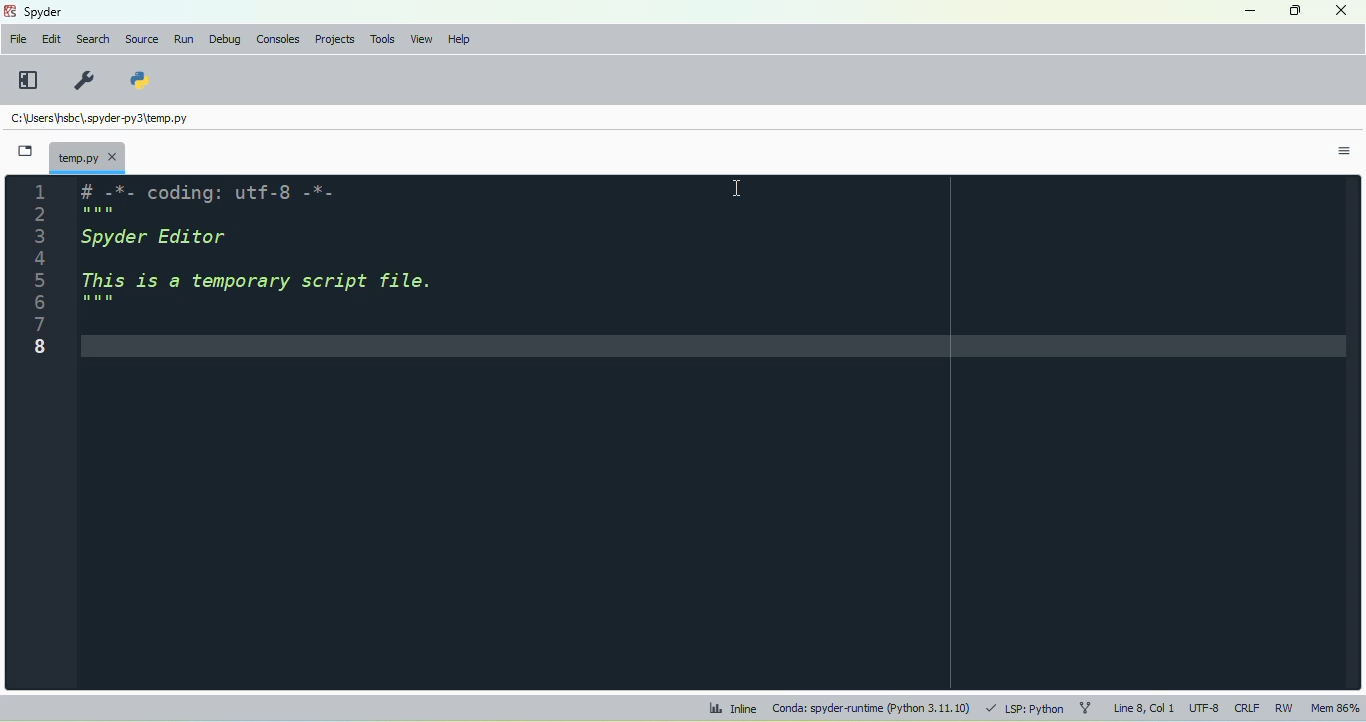  Describe the element at coordinates (335, 40) in the screenshot. I see `projects` at that location.